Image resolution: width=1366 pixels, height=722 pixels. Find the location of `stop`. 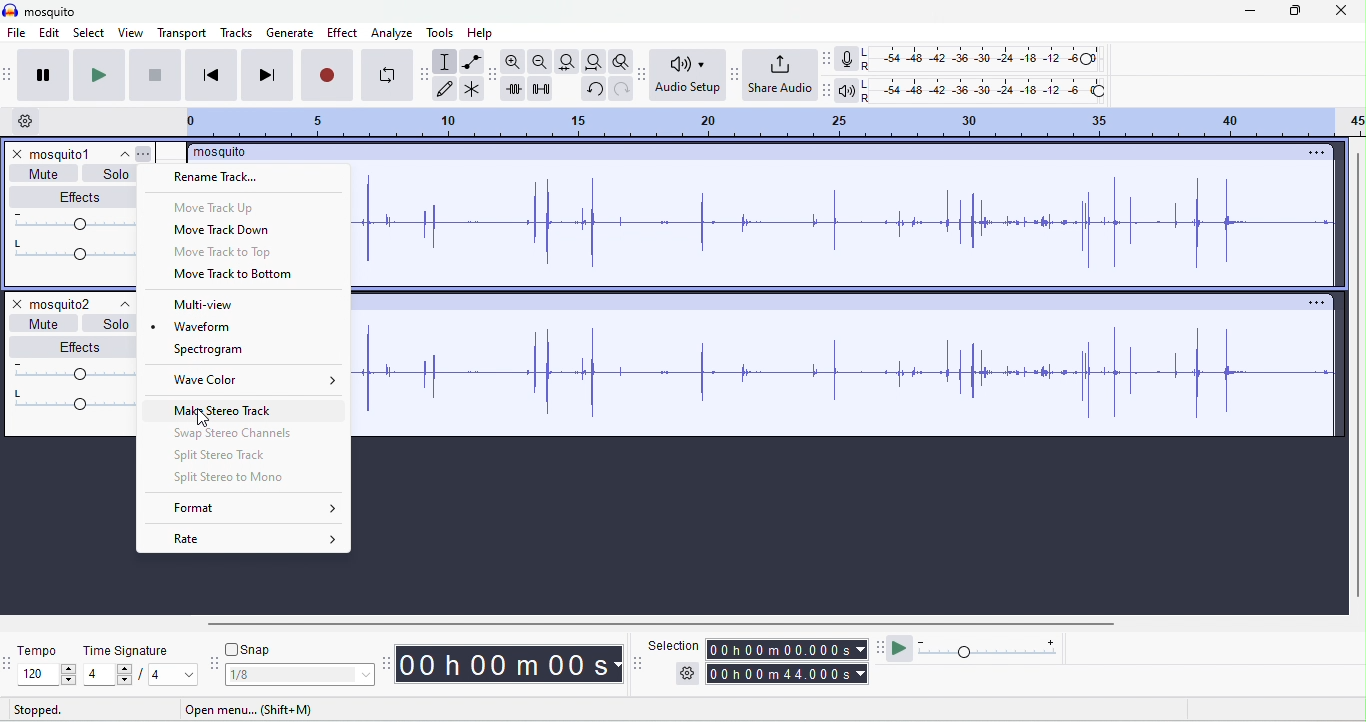

stop is located at coordinates (154, 76).